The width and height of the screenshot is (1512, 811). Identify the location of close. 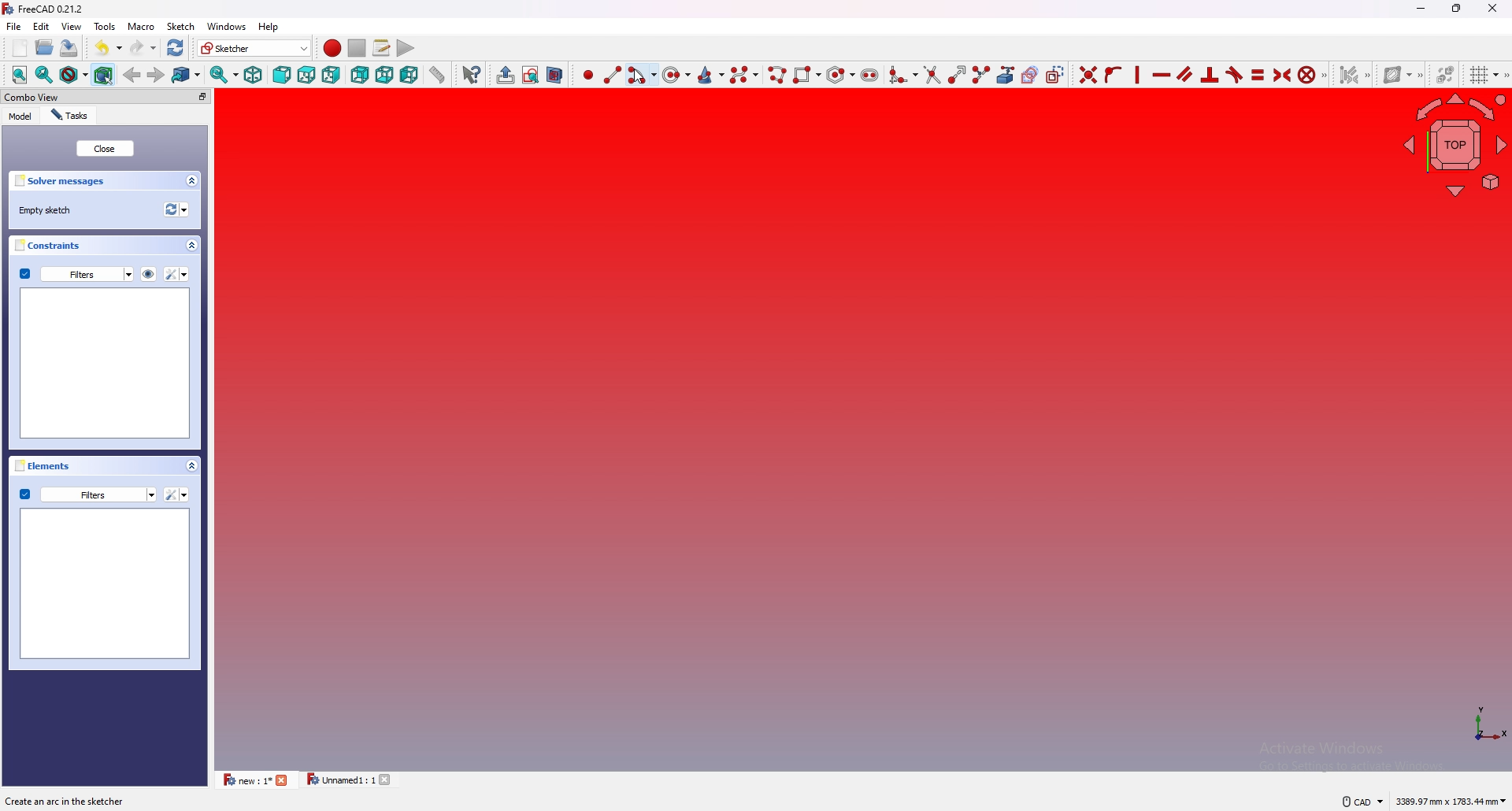
(283, 780).